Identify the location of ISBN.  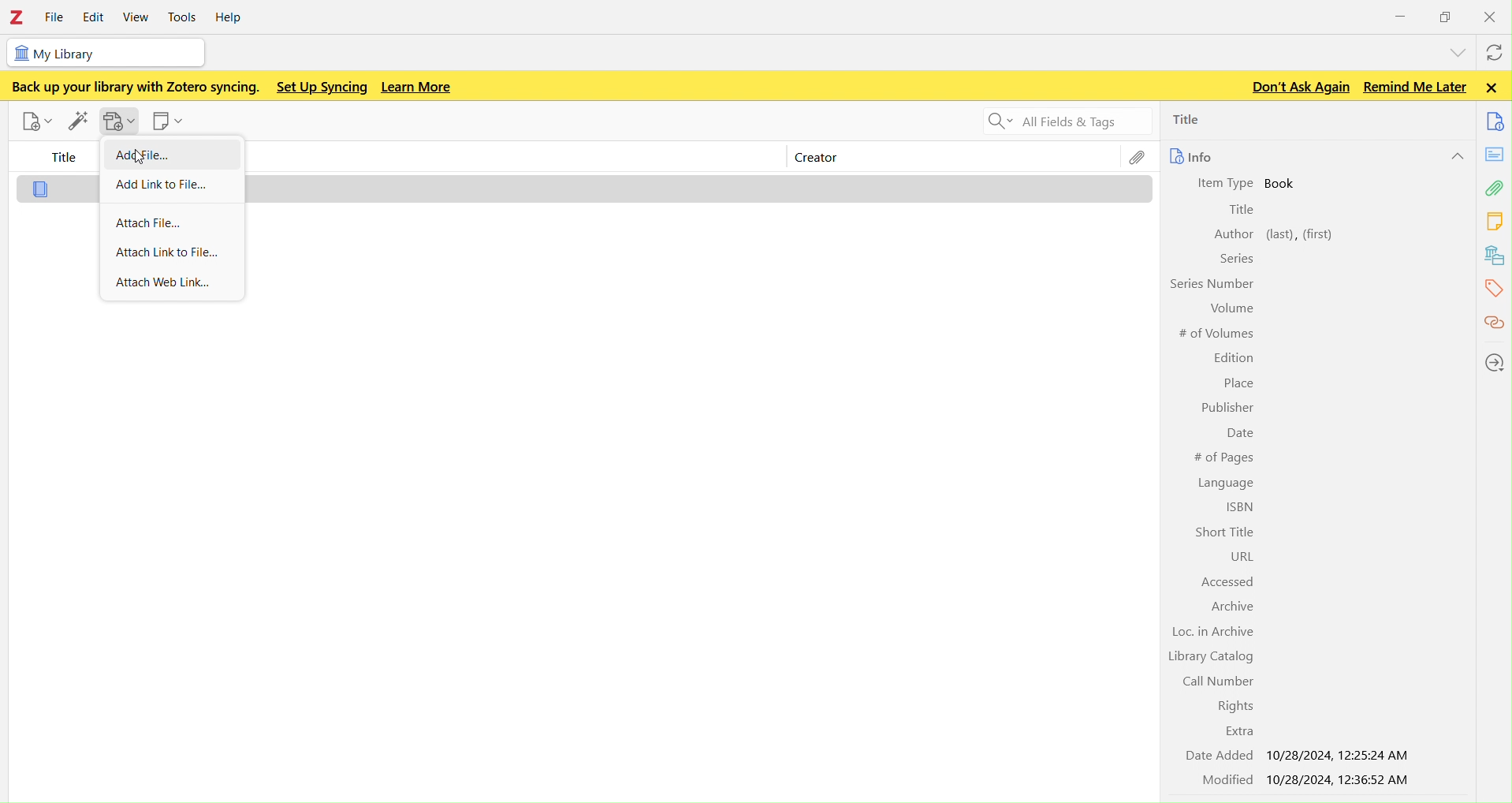
(1236, 506).